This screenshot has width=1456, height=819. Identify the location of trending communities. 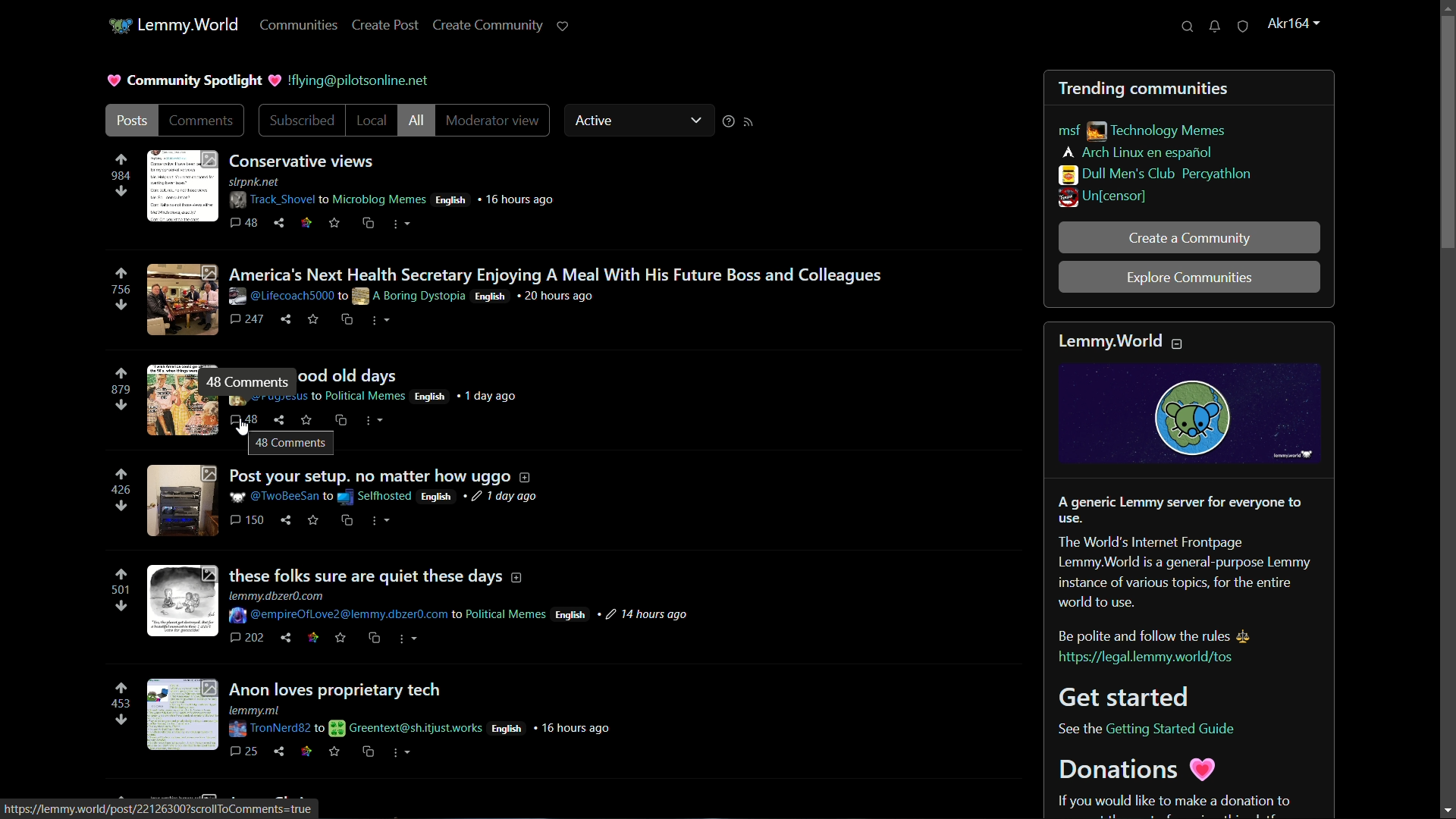
(1144, 88).